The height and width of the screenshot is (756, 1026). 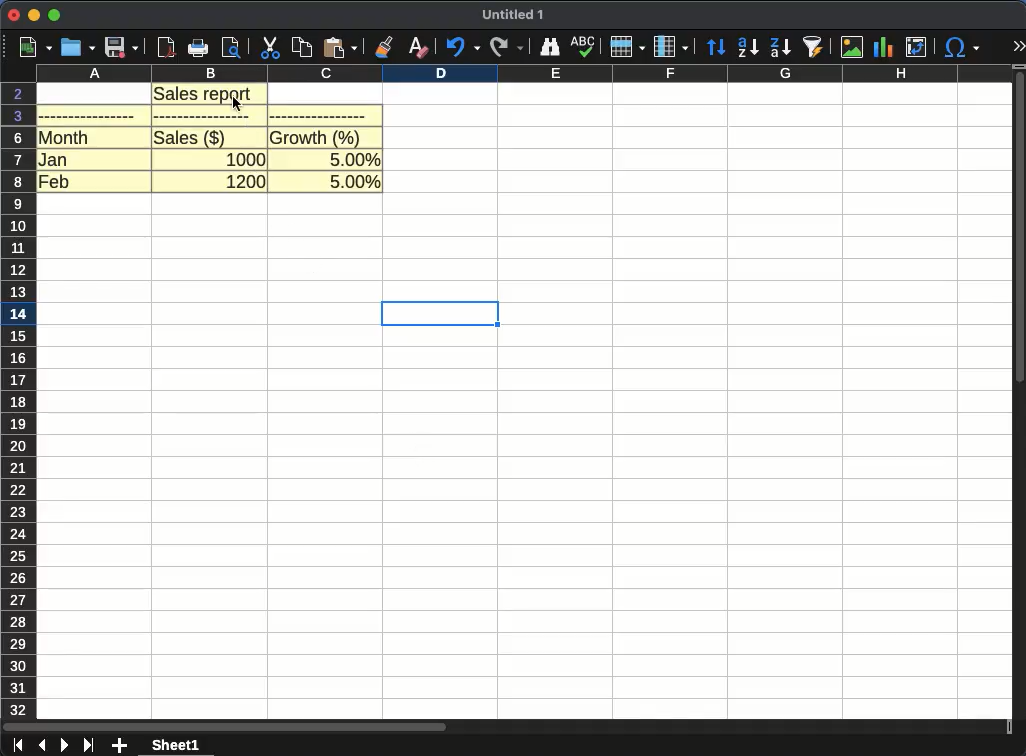 I want to click on finder, so click(x=548, y=47).